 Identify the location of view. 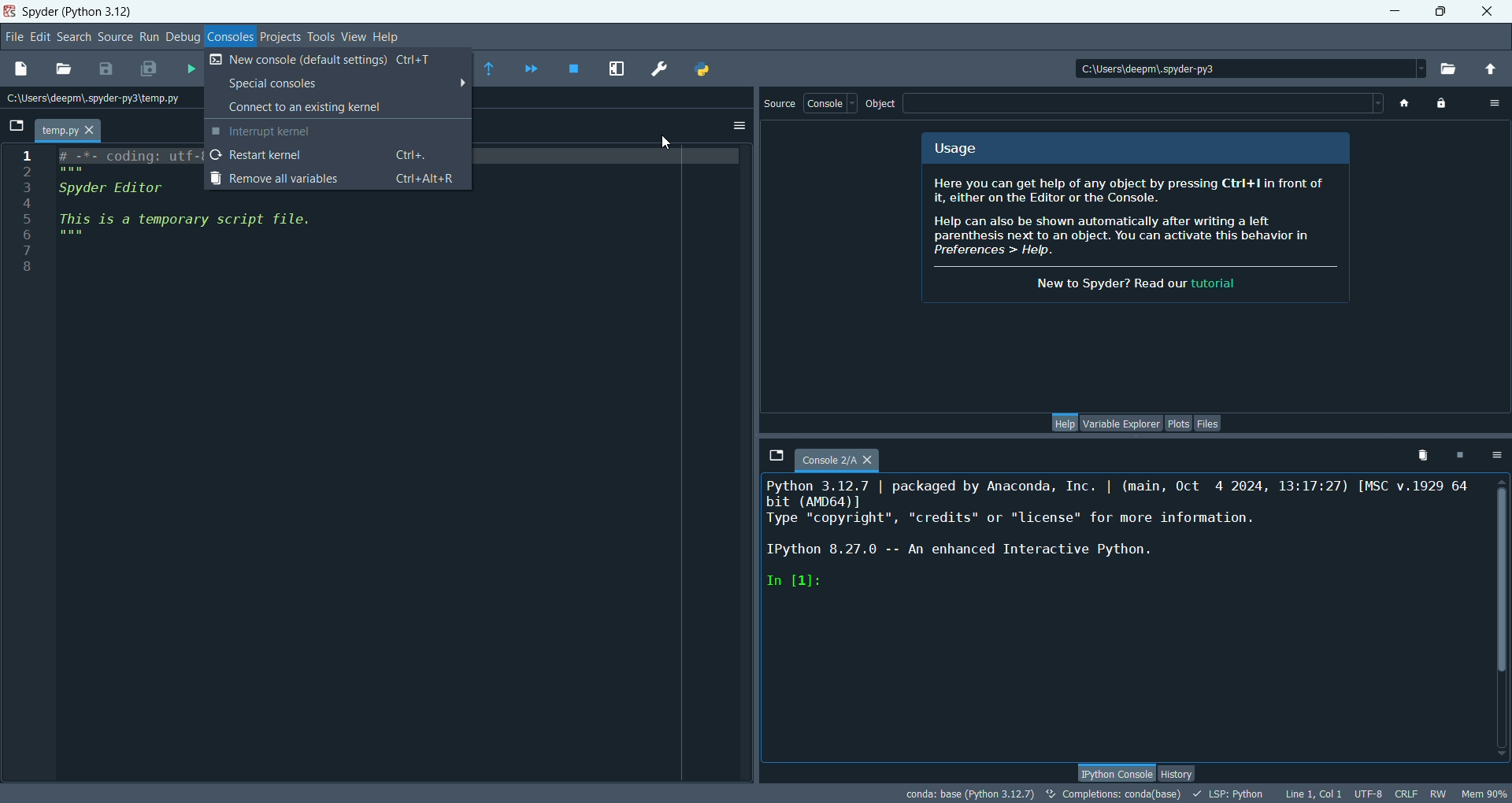
(355, 38).